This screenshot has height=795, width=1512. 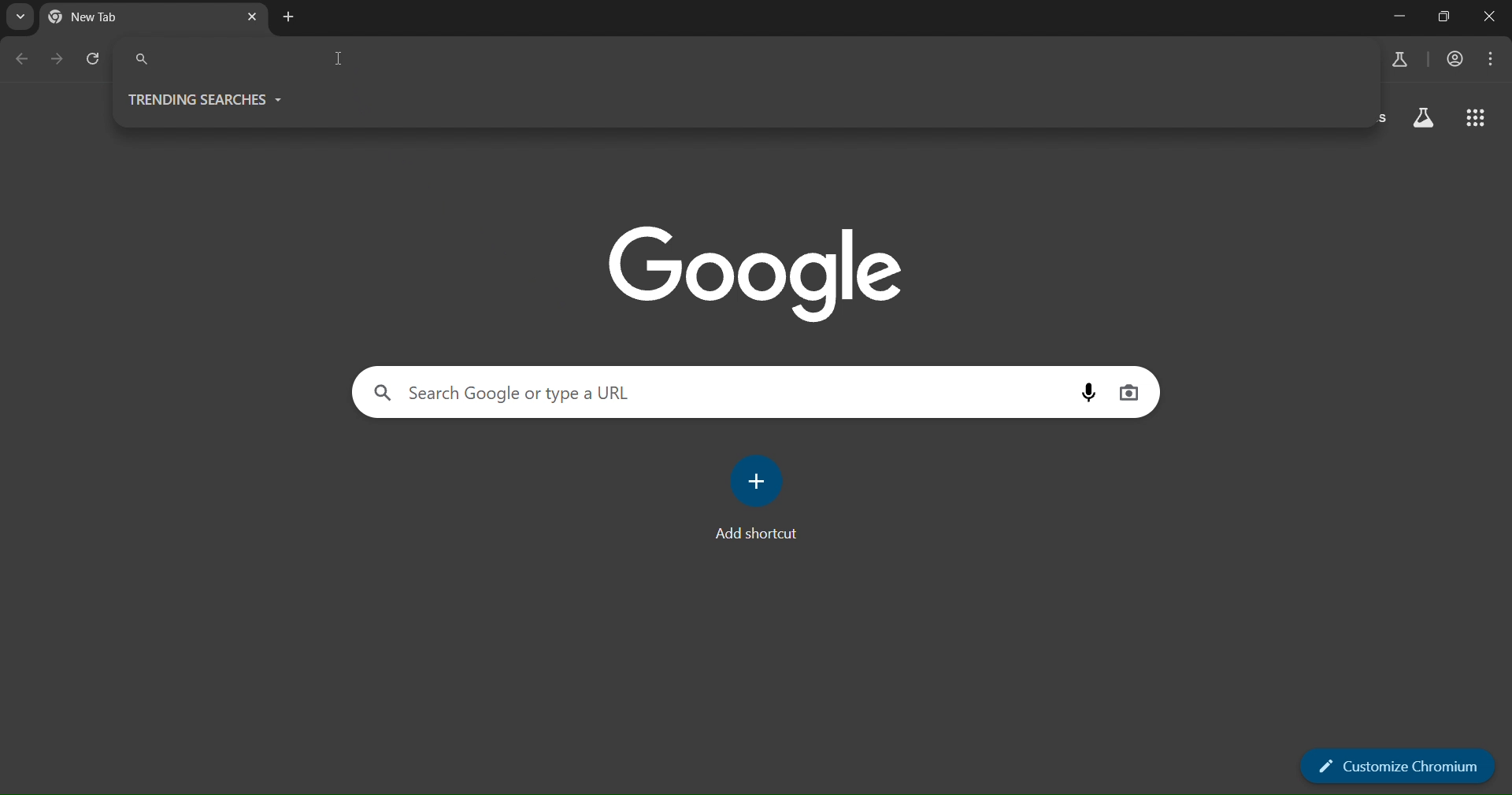 I want to click on cursor, so click(x=337, y=65).